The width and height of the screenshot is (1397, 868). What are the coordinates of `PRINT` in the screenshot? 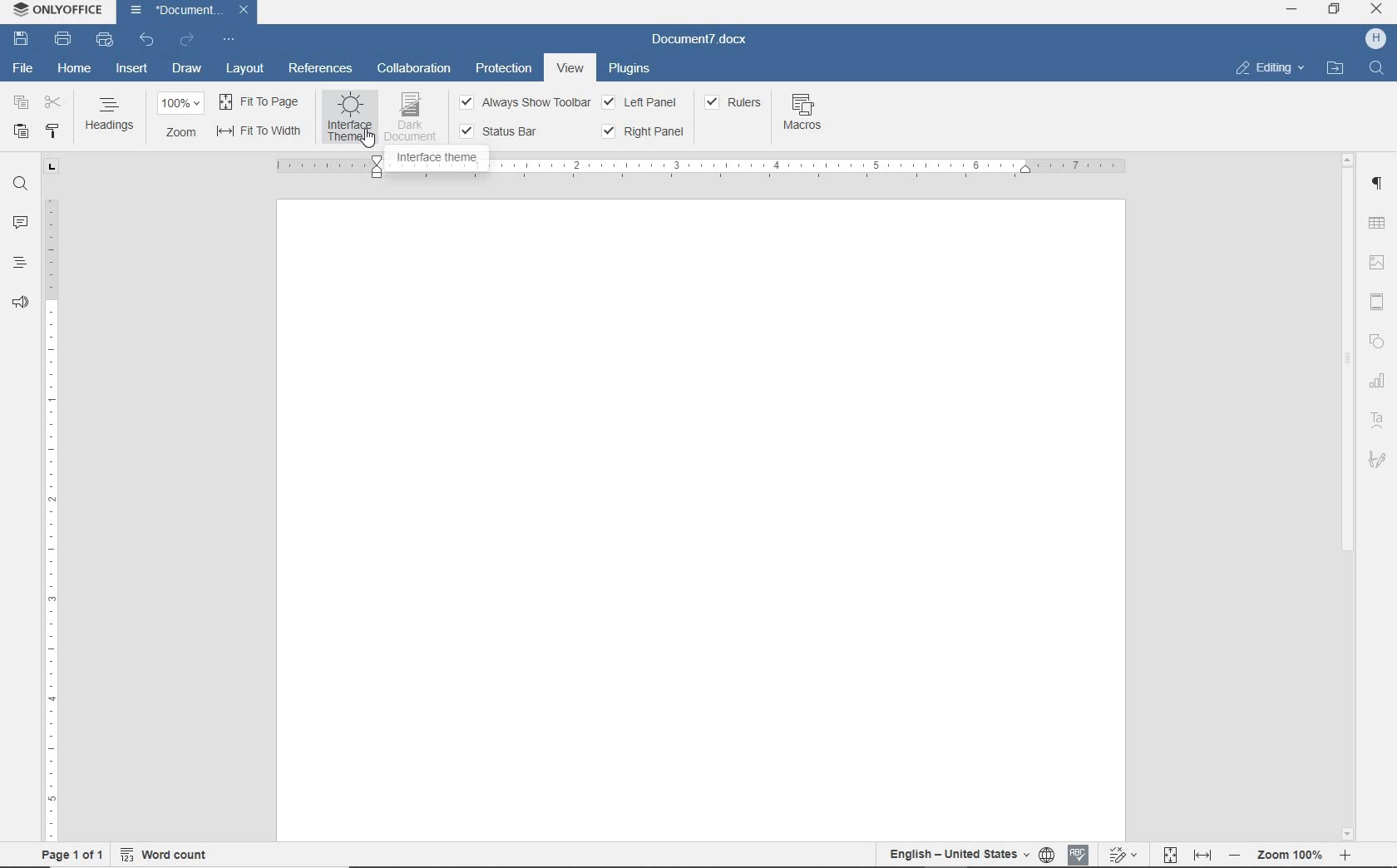 It's located at (62, 37).